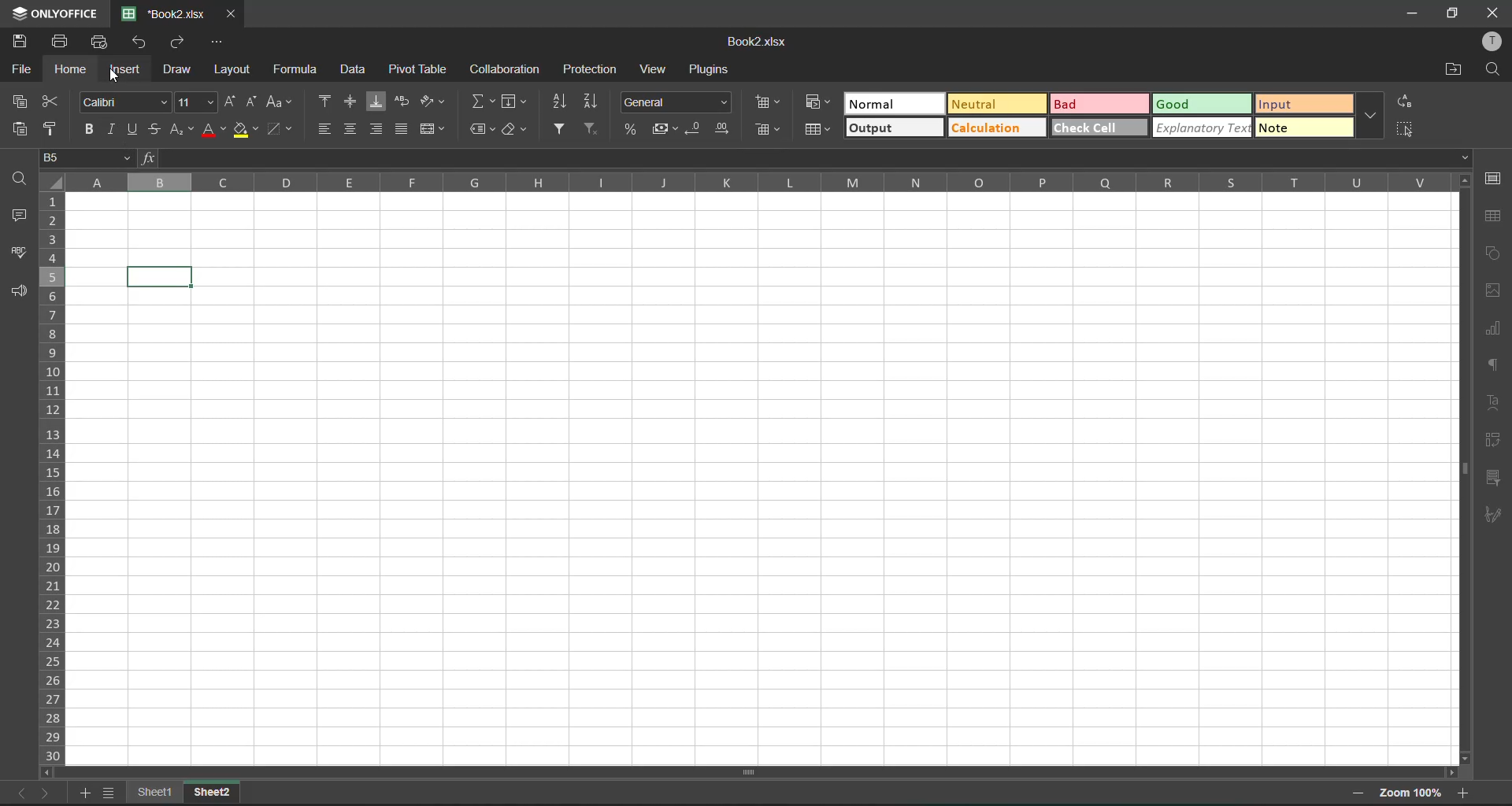 The image size is (1512, 806). I want to click on row numbers, so click(55, 479).